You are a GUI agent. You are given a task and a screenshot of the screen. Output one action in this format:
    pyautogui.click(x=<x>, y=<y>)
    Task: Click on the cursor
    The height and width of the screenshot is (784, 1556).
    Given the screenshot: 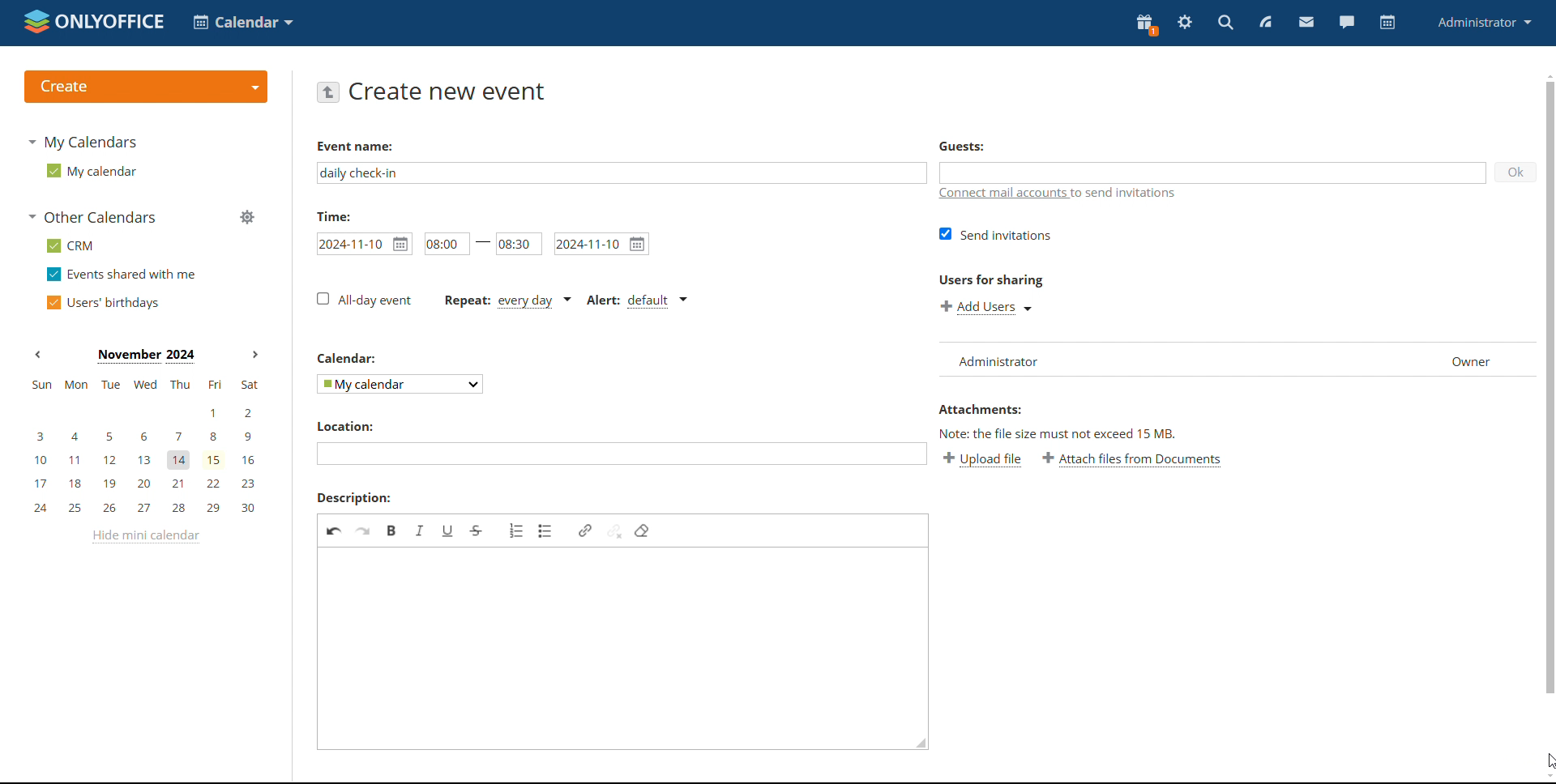 What is the action you would take?
    pyautogui.click(x=1546, y=759)
    